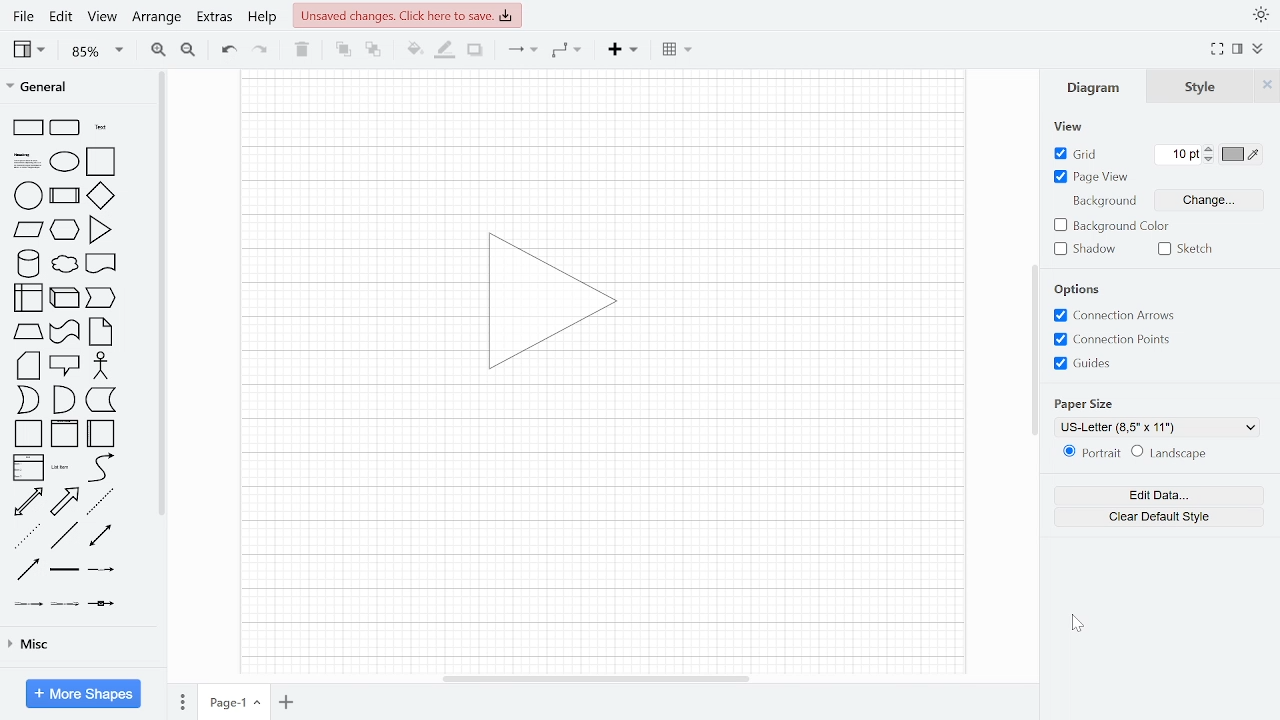 This screenshot has height=720, width=1280. I want to click on Fill color, so click(412, 49).